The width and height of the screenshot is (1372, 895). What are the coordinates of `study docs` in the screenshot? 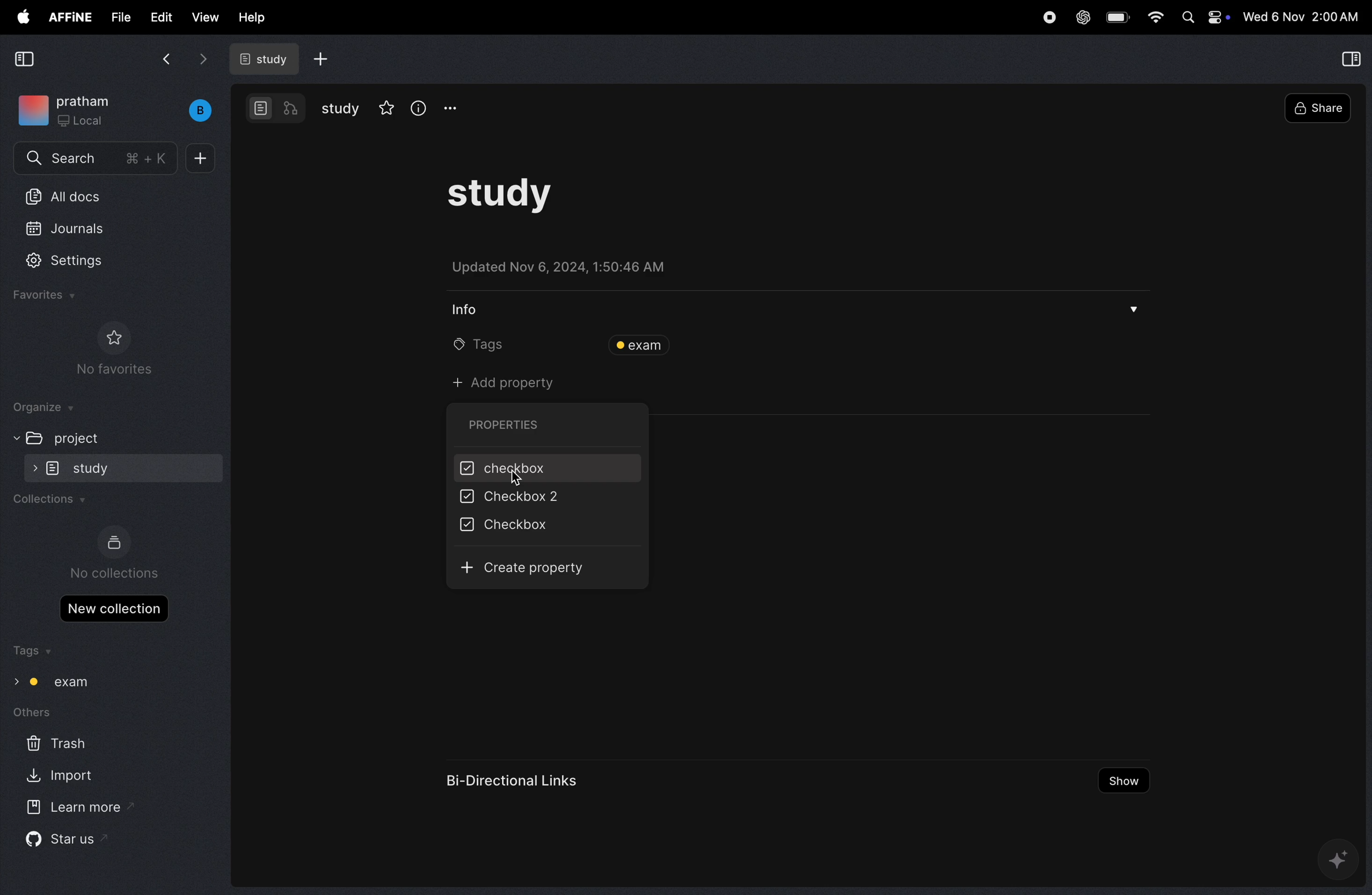 It's located at (261, 59).